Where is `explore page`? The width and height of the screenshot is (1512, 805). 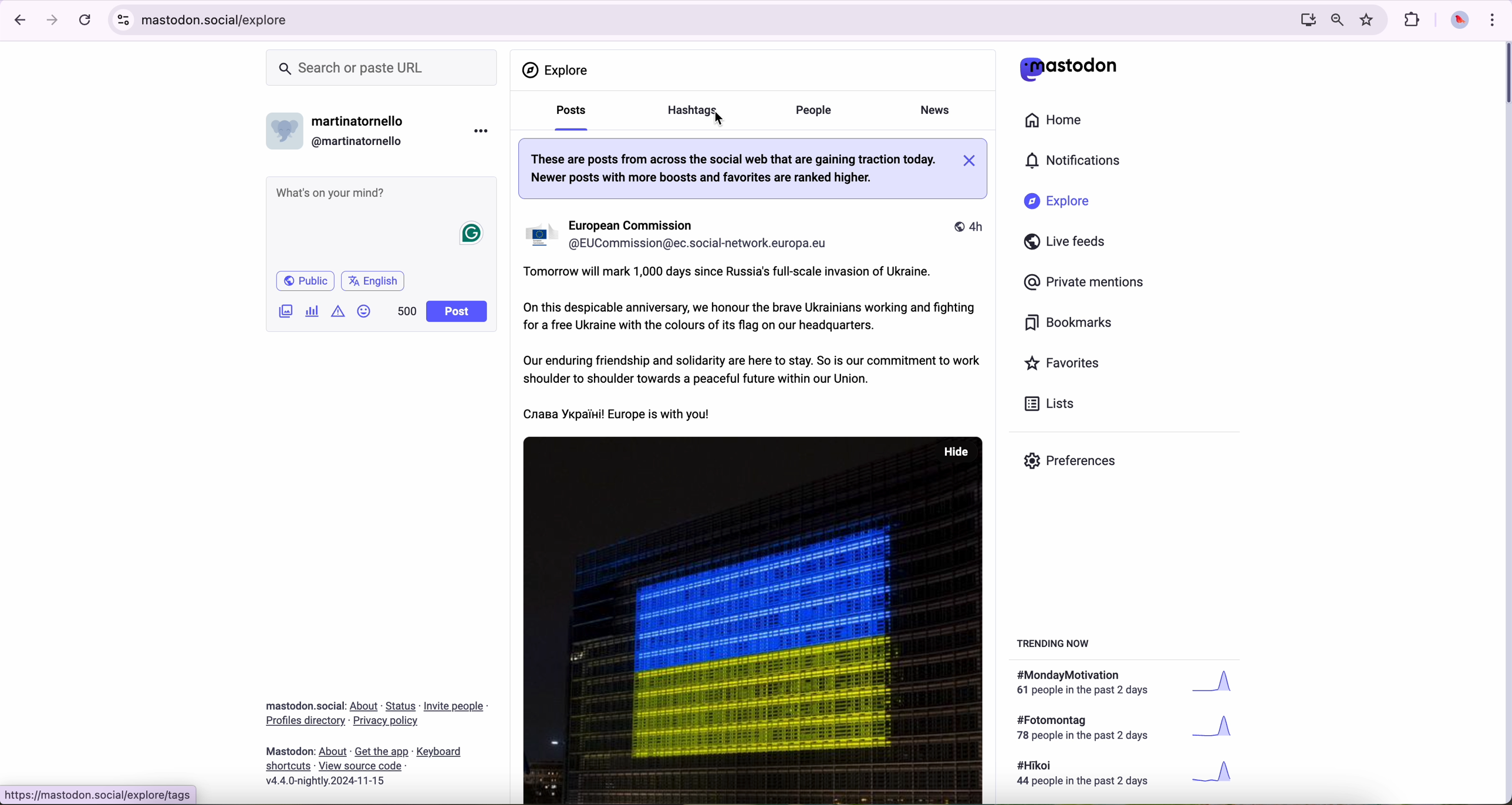 explore page is located at coordinates (558, 70).